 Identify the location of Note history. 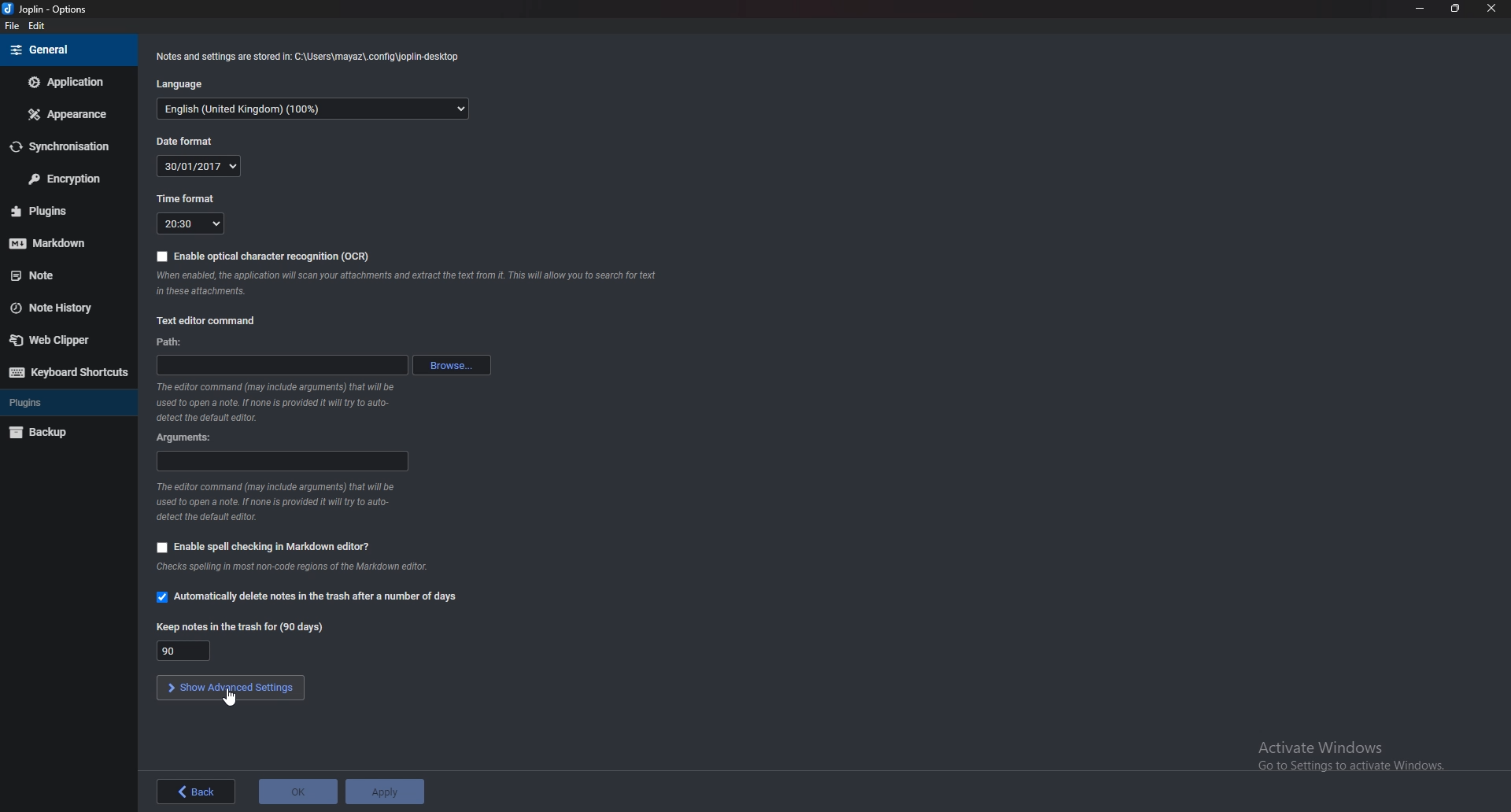
(62, 306).